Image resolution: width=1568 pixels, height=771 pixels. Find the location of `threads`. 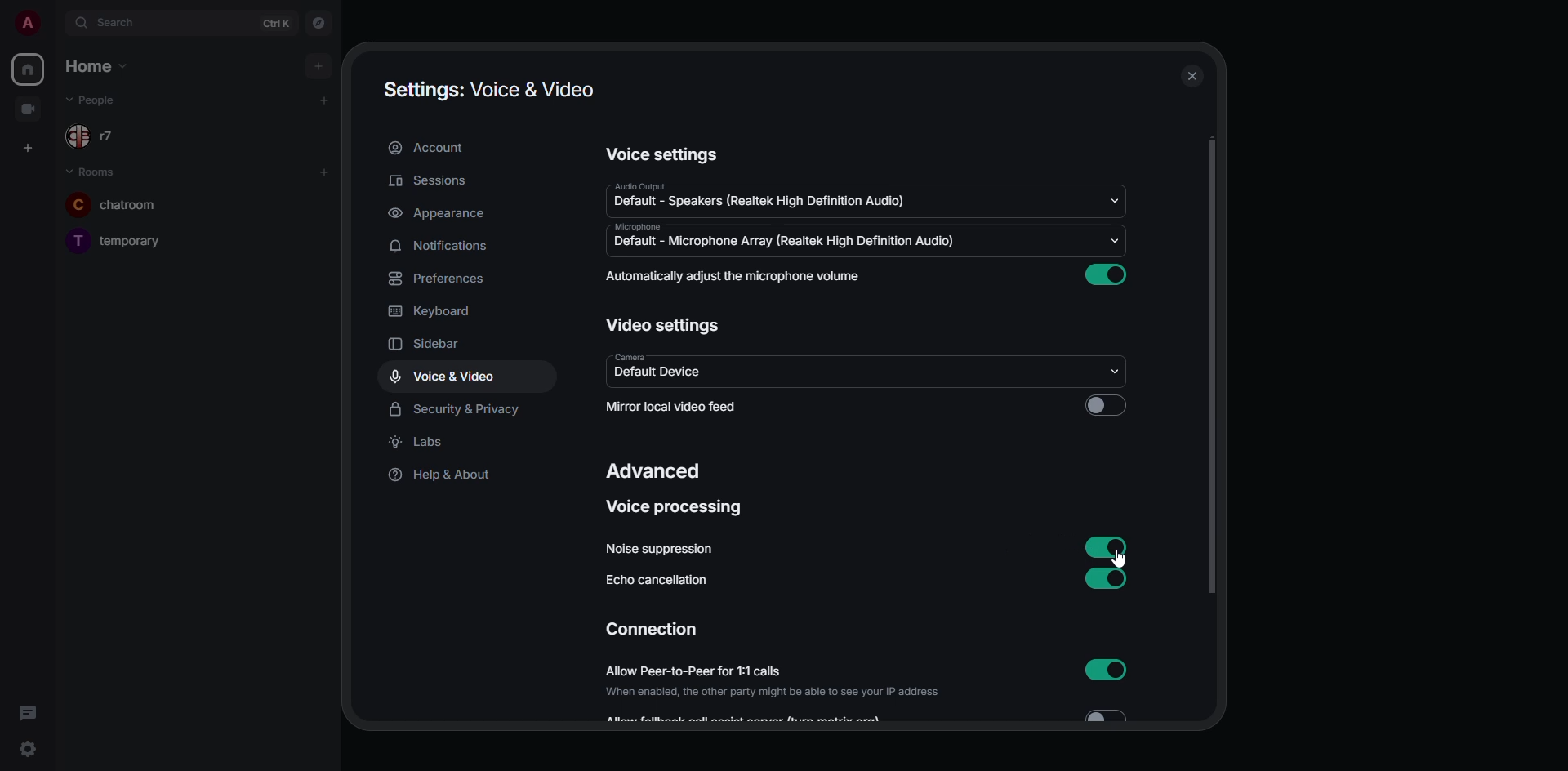

threads is located at coordinates (28, 711).